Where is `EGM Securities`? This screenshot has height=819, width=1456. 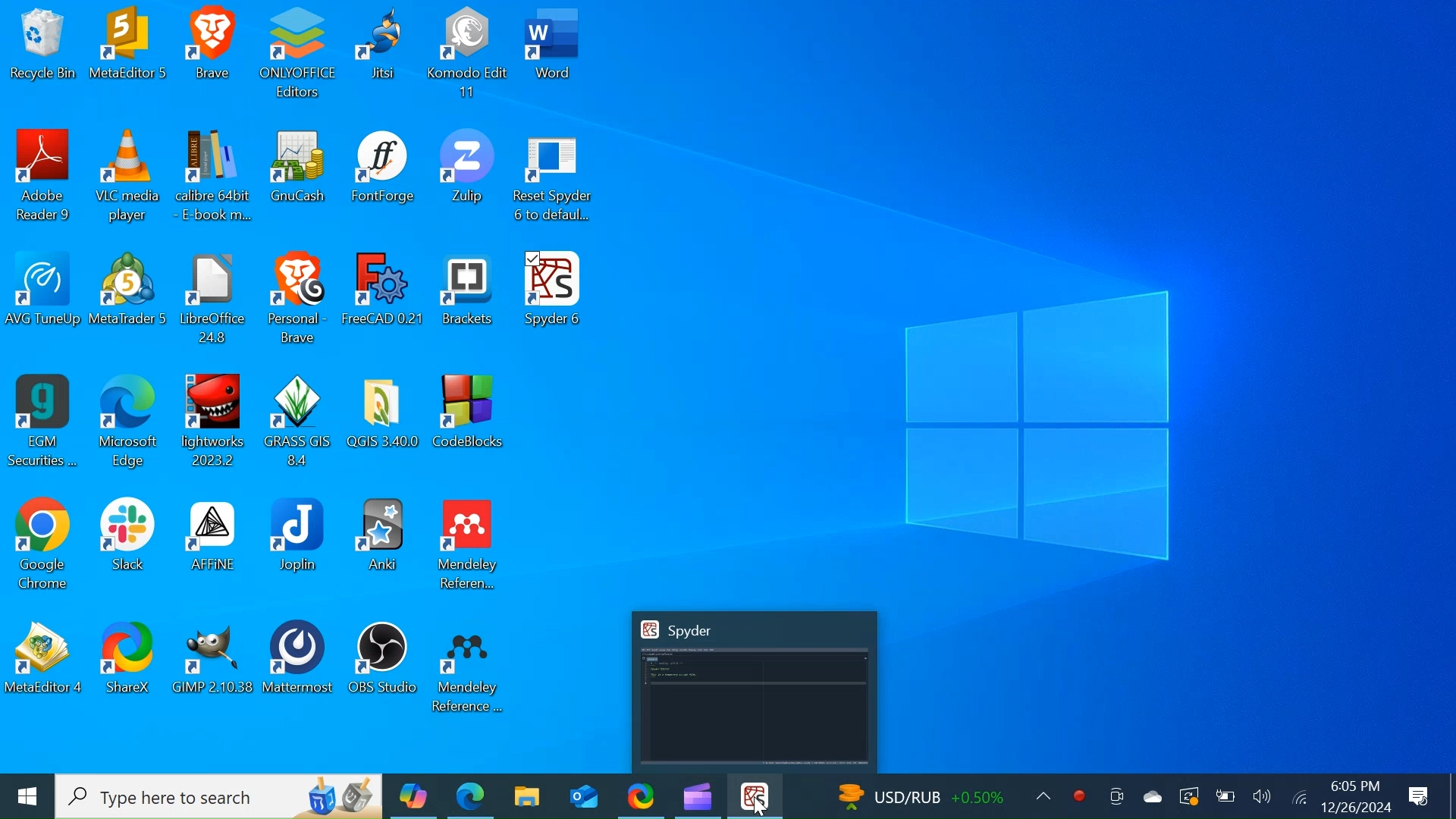
EGM Securities is located at coordinates (43, 422).